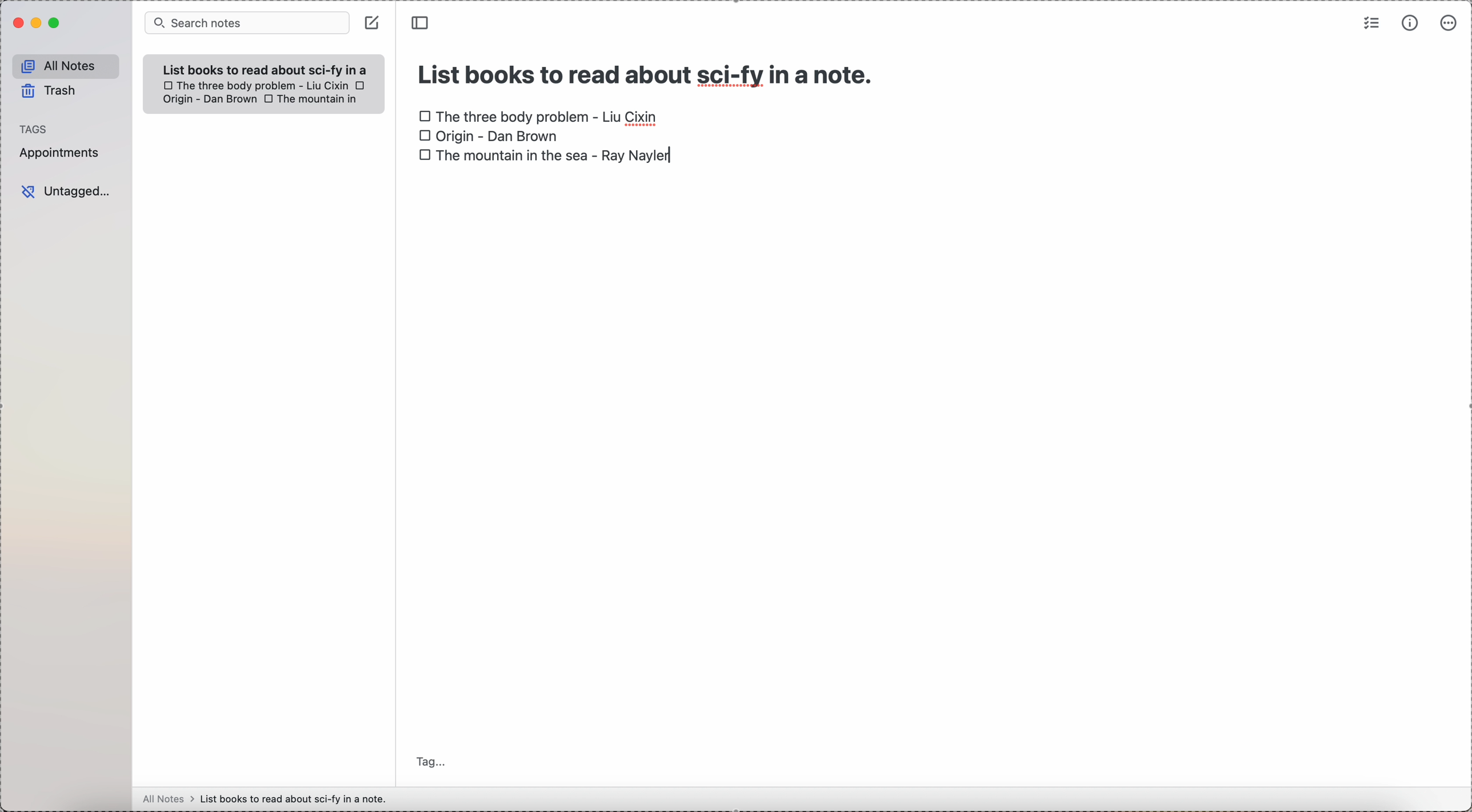 The width and height of the screenshot is (1472, 812). I want to click on List books to read about sci-fy in a note., so click(266, 69).